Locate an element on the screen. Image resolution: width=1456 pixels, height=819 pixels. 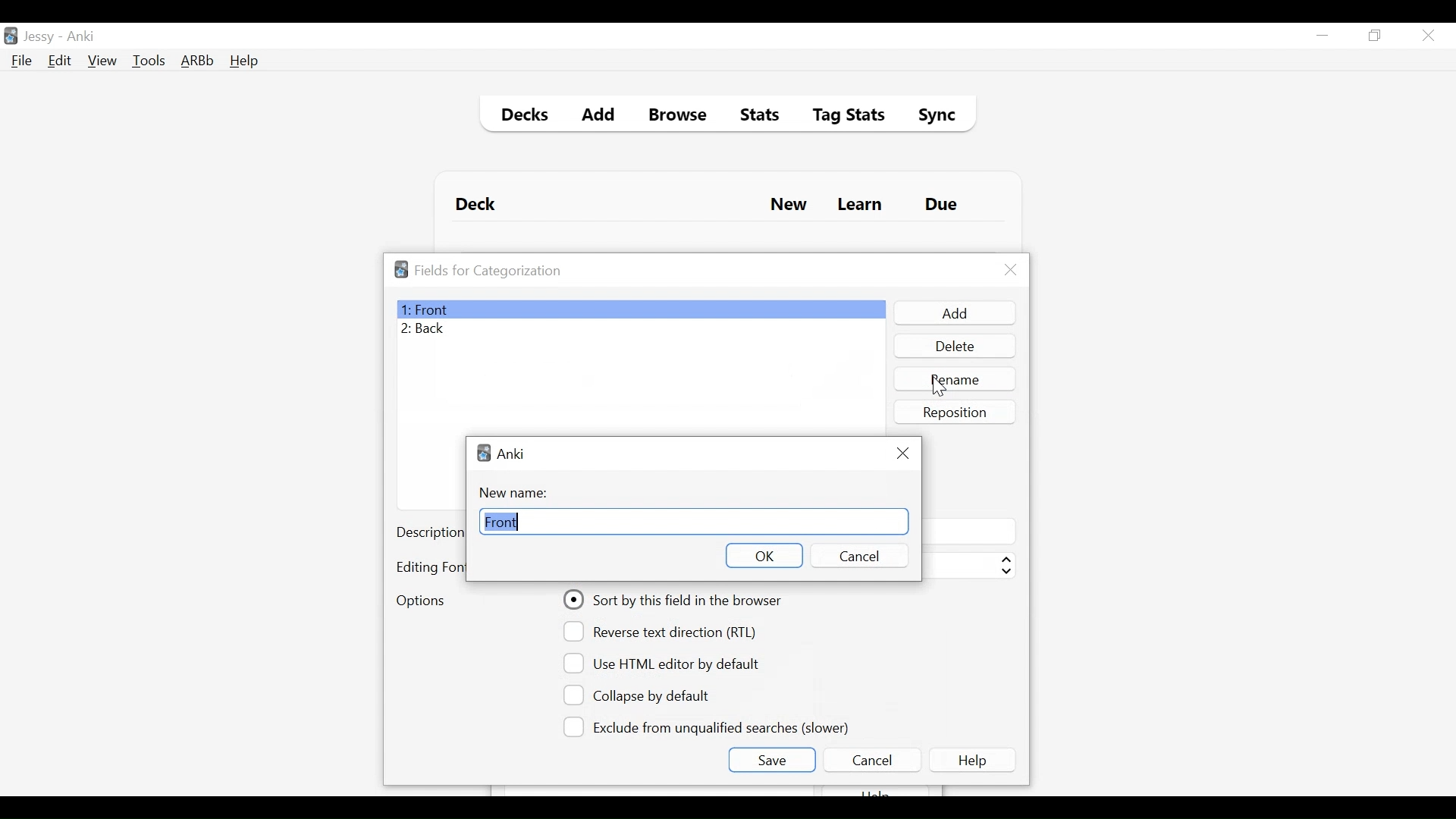
(un)select Use HTML editor by default is located at coordinates (666, 663).